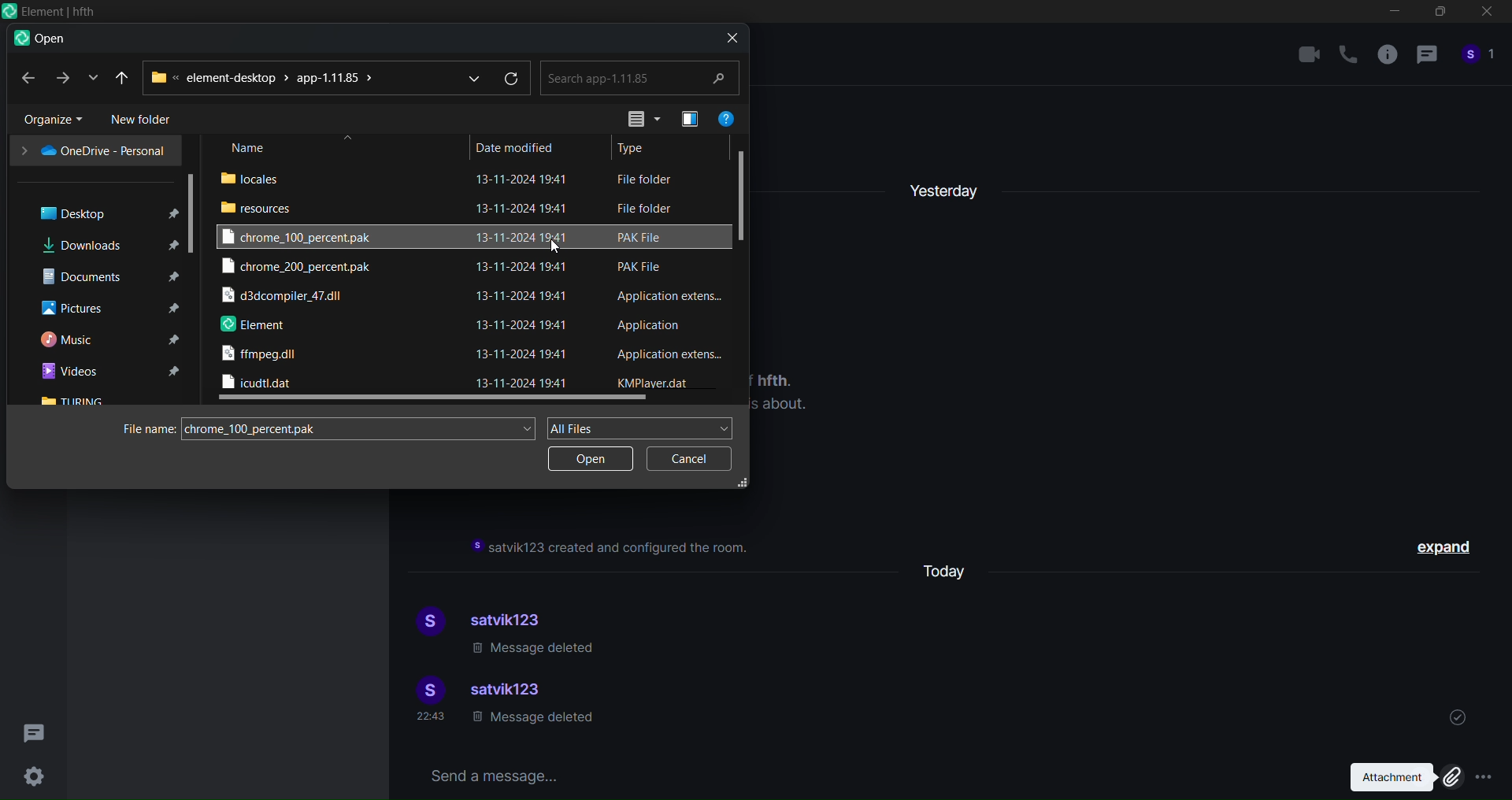  Describe the element at coordinates (745, 191) in the screenshot. I see `vertical scroll bar` at that location.